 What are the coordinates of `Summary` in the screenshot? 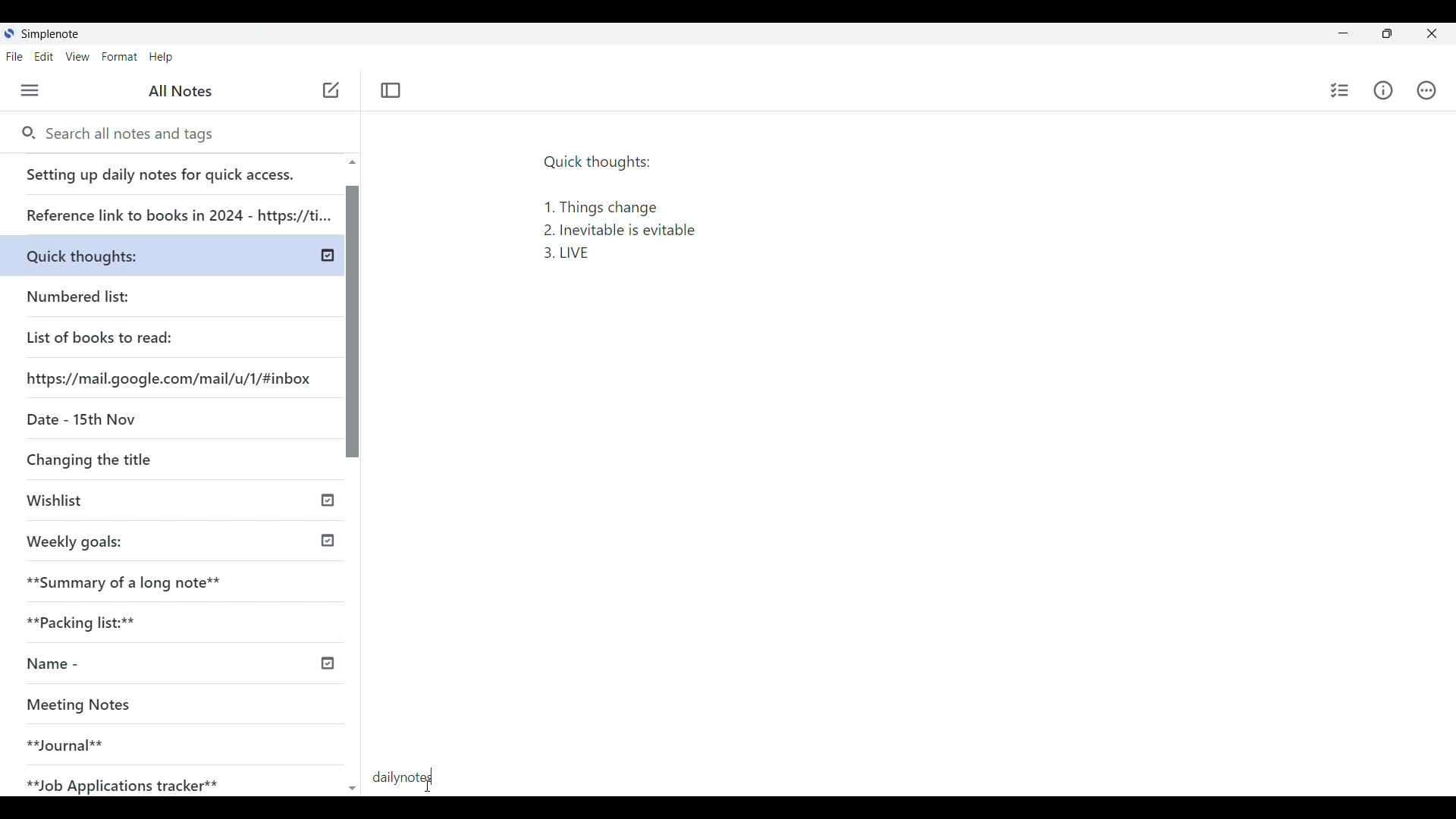 It's located at (181, 578).